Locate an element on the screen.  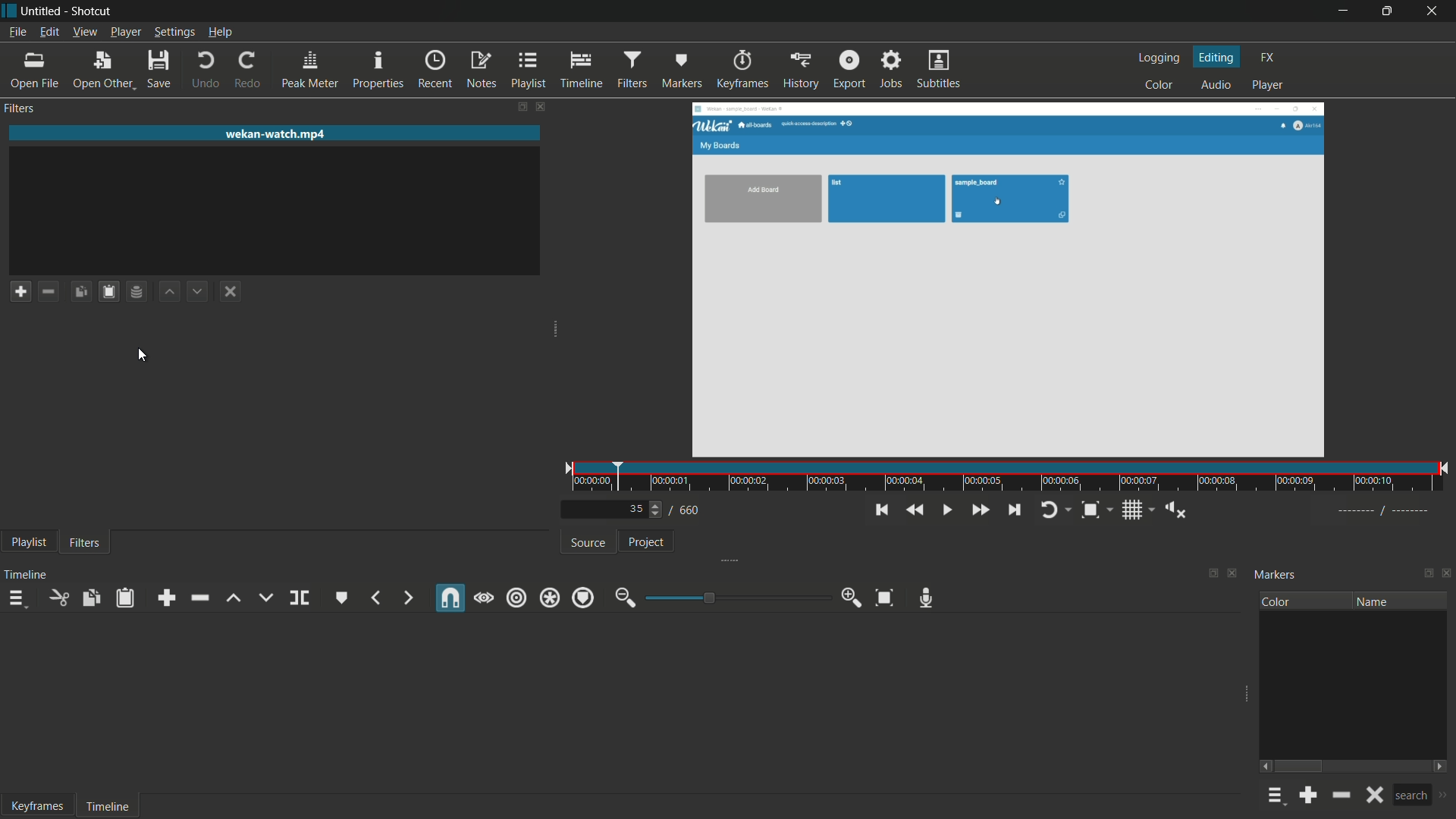
player is located at coordinates (1263, 85).